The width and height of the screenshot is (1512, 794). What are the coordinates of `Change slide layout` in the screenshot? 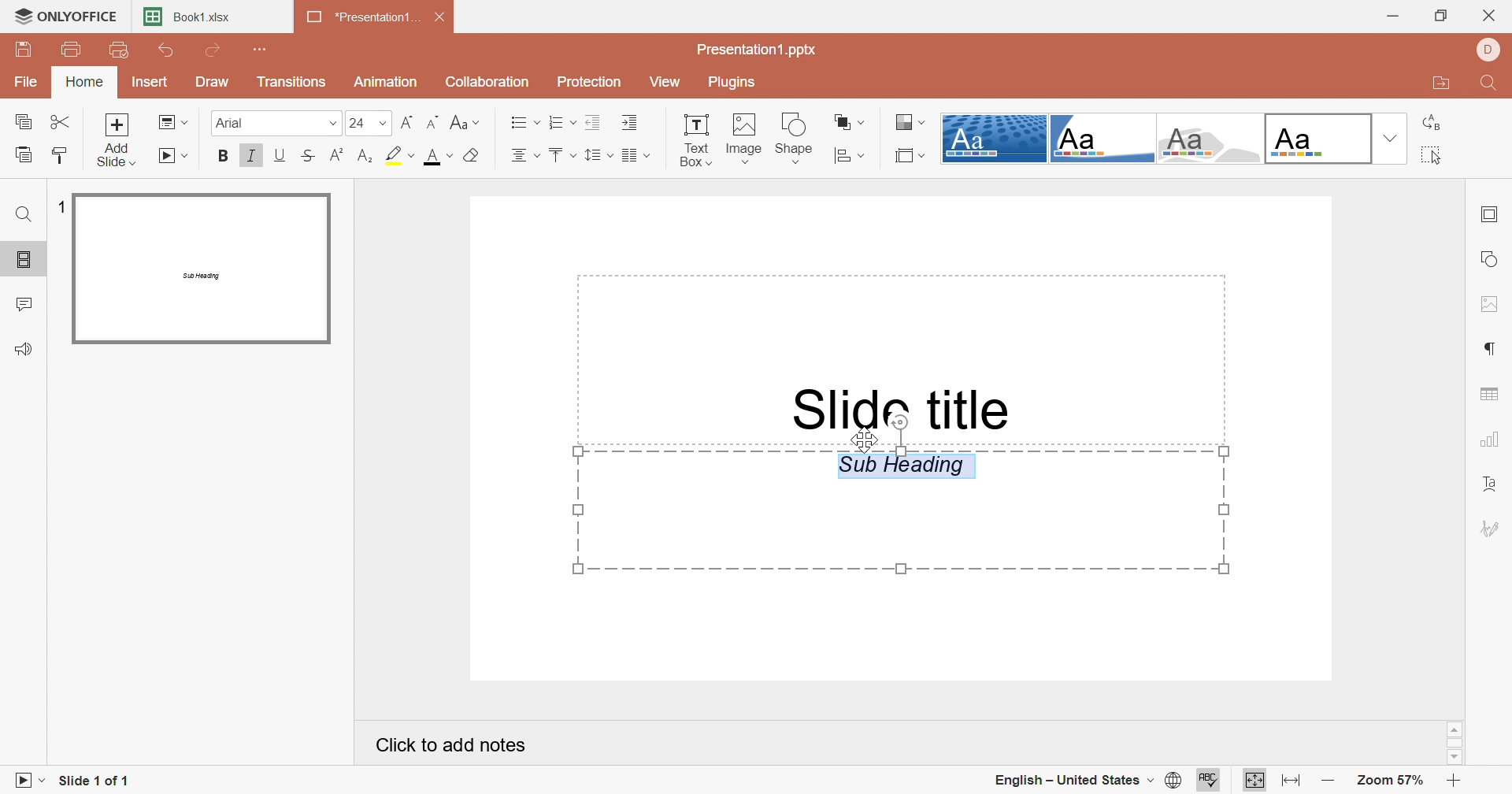 It's located at (171, 124).